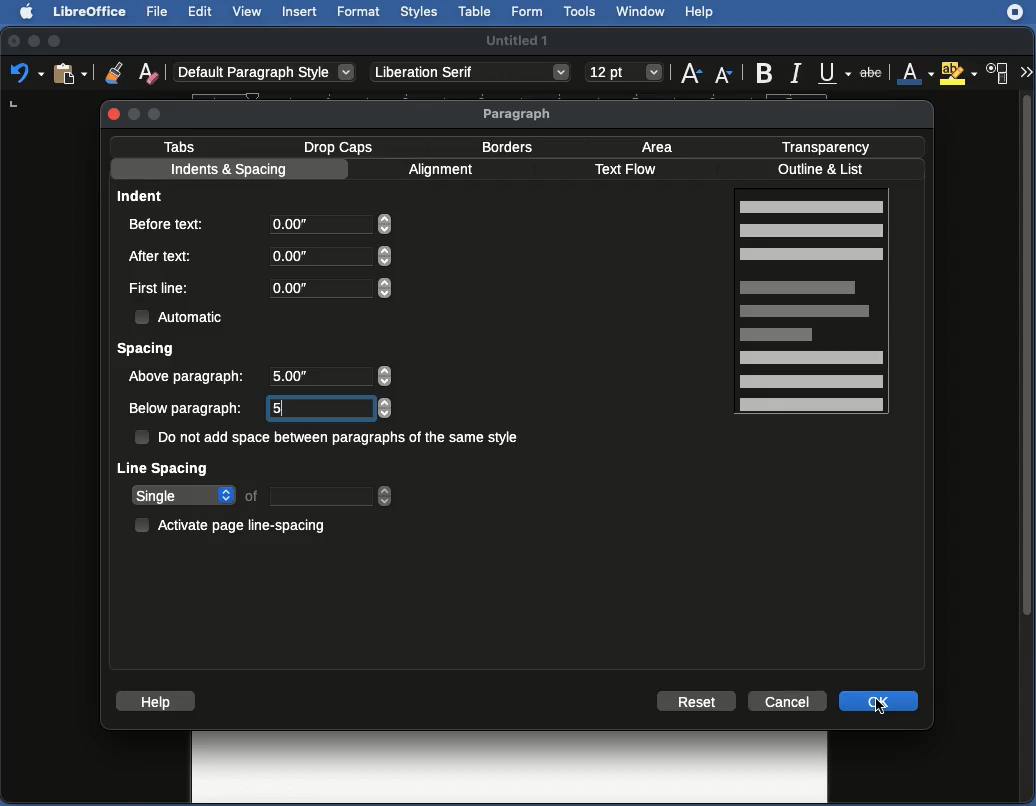 This screenshot has width=1036, height=806. I want to click on View, so click(249, 13).